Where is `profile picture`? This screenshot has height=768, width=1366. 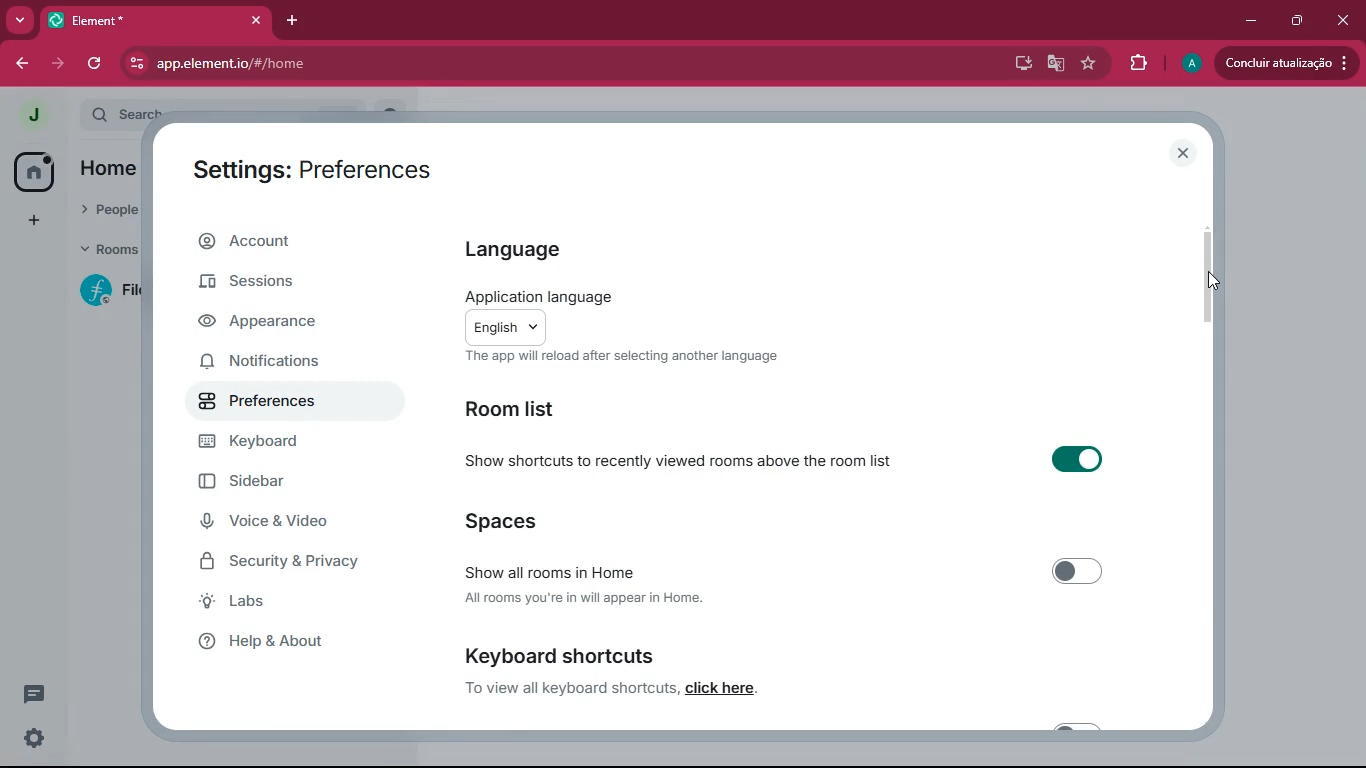 profile picture is located at coordinates (32, 116).